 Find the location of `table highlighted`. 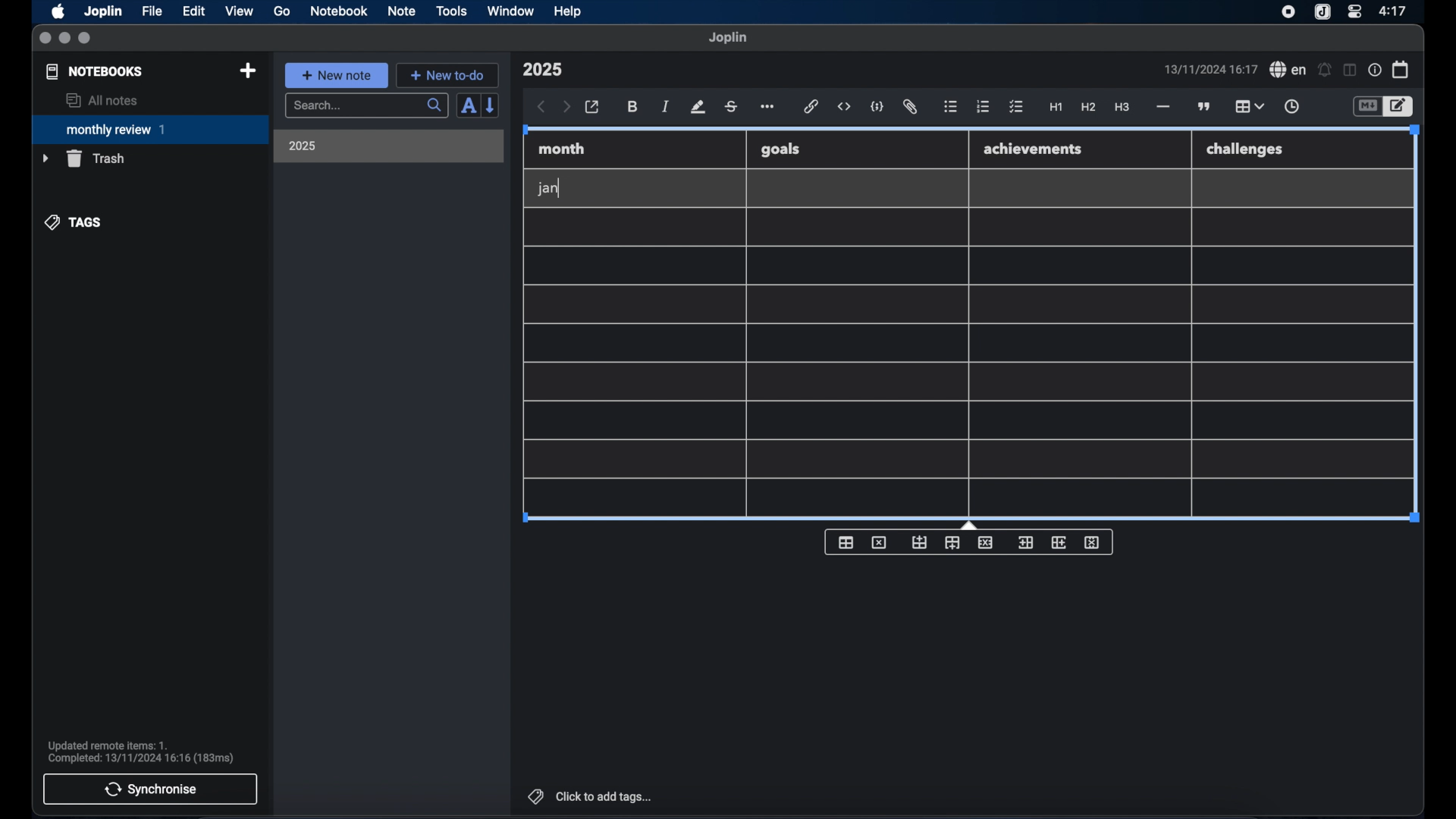

table highlighted is located at coordinates (1247, 106).